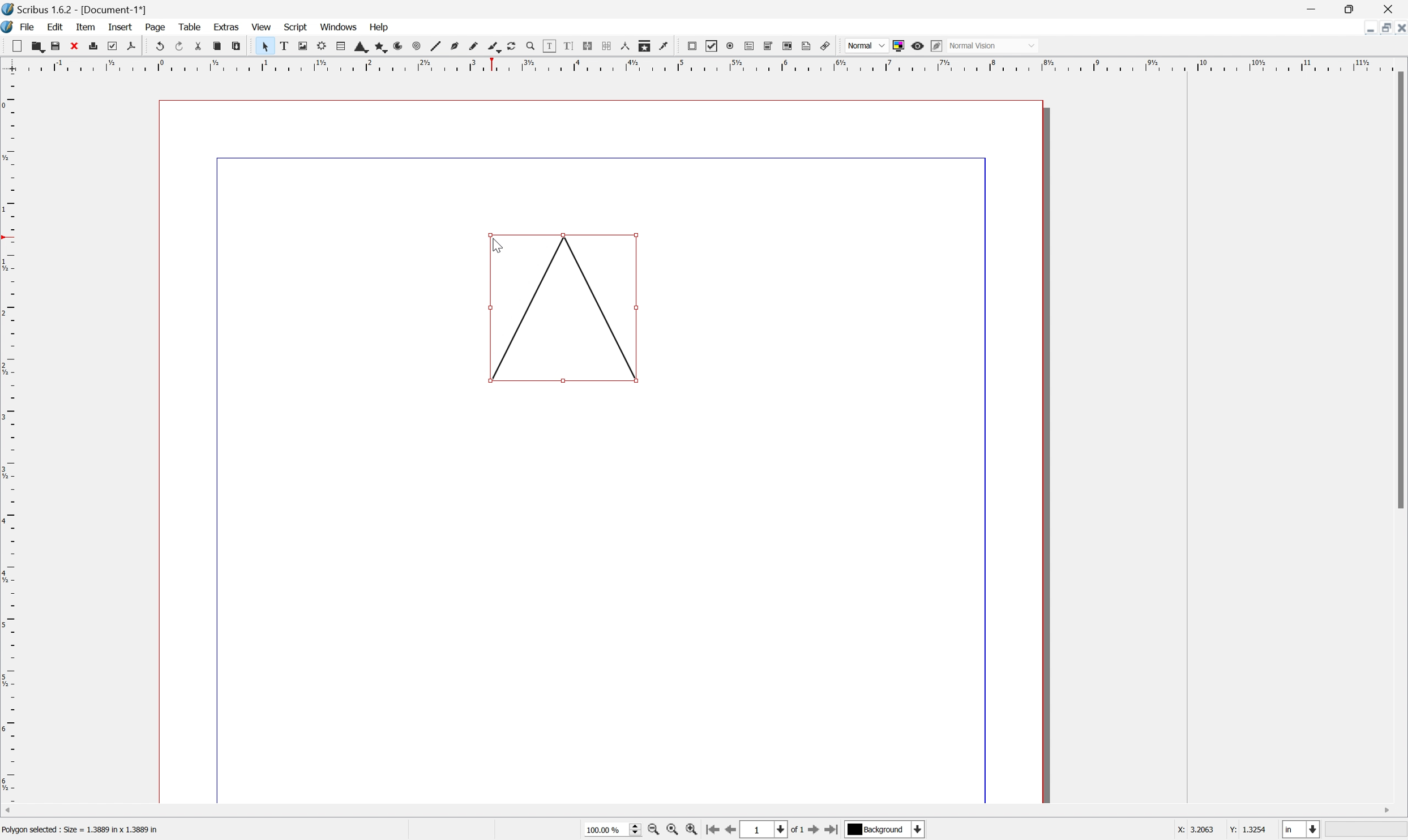 The height and width of the screenshot is (840, 1408). What do you see at coordinates (833, 830) in the screenshot?
I see `Go to last page` at bounding box center [833, 830].